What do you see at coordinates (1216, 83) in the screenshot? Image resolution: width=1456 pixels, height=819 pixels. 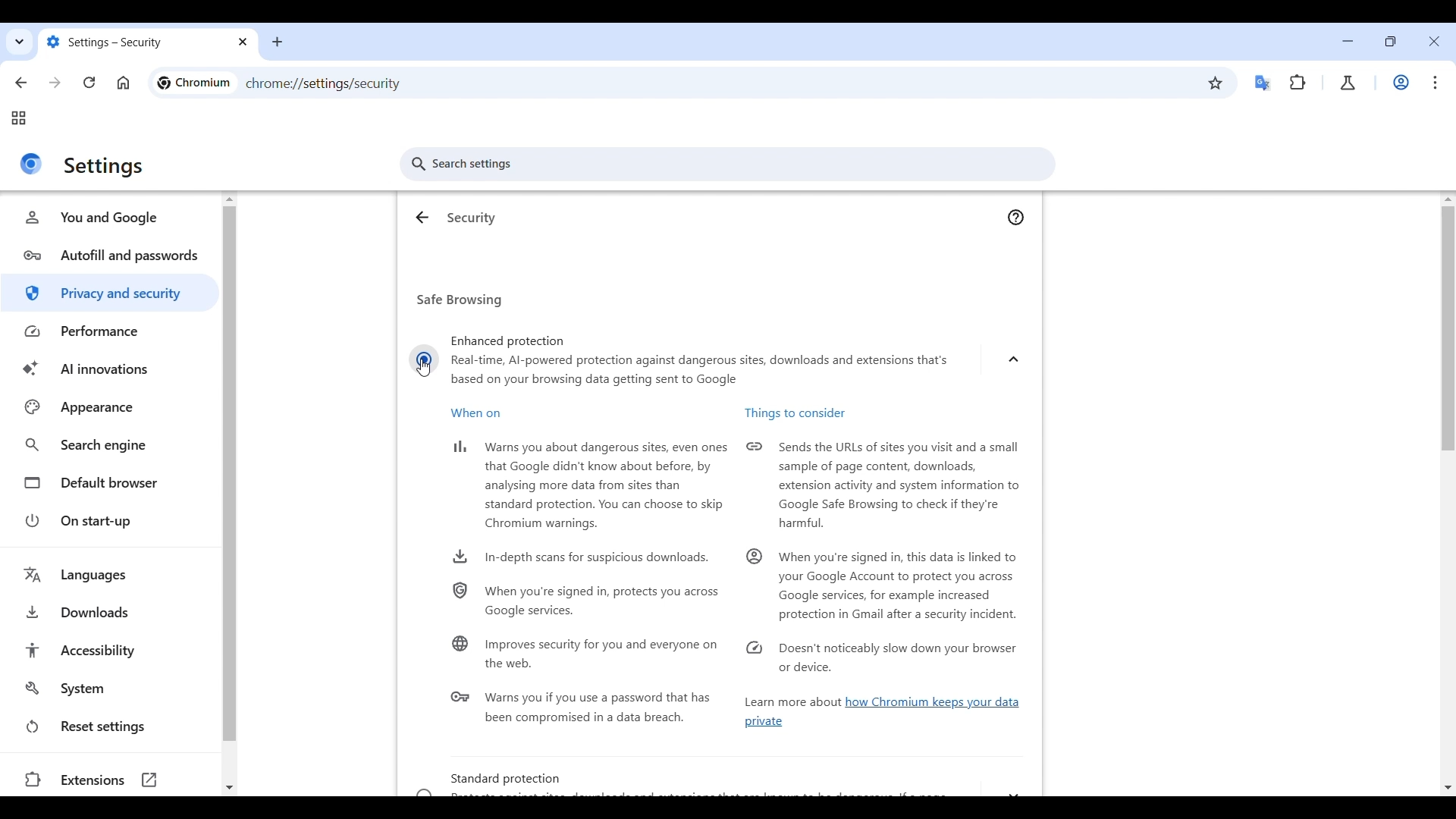 I see `Bookmark this tab` at bounding box center [1216, 83].